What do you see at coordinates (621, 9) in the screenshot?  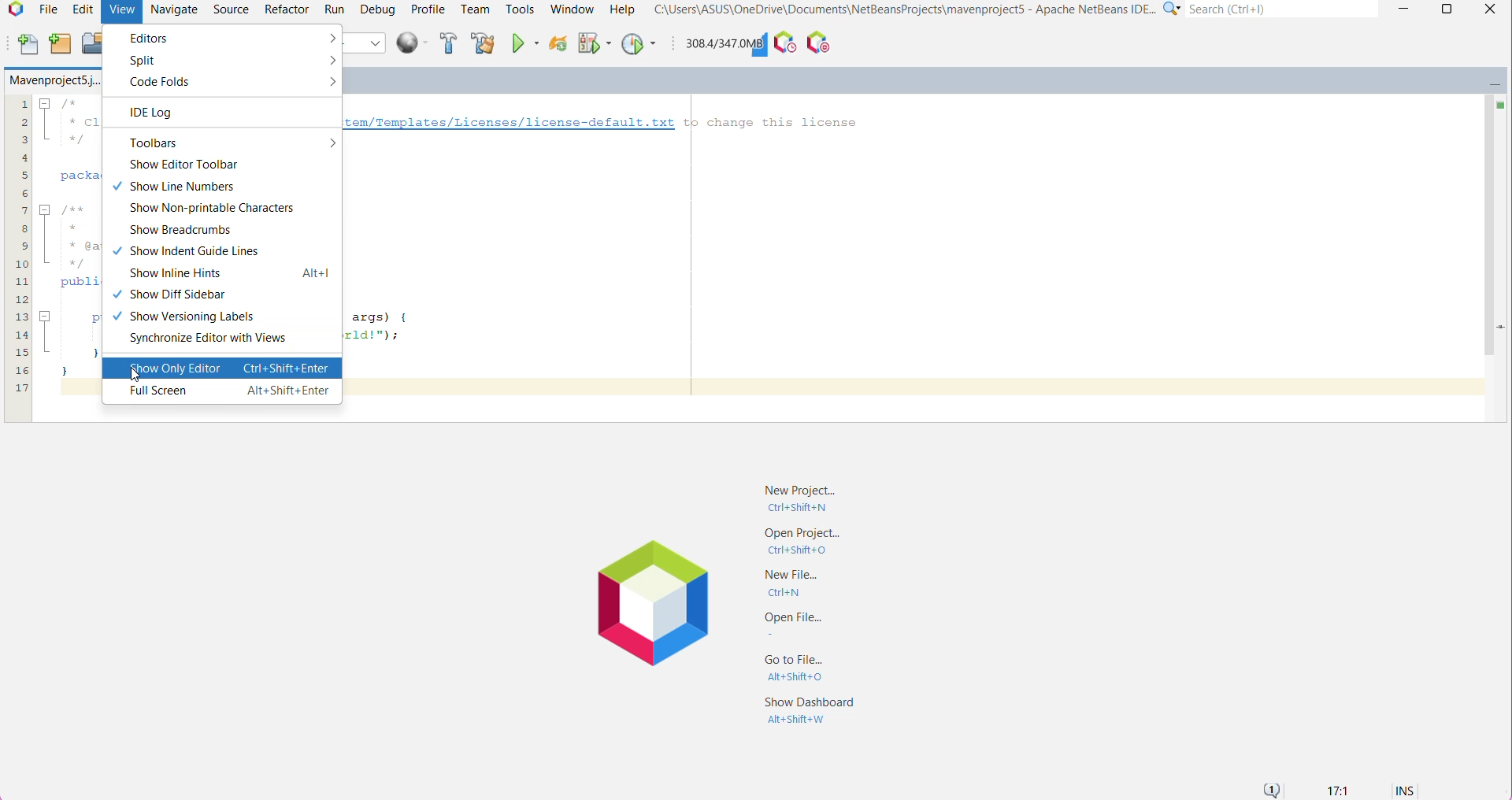 I see `Help` at bounding box center [621, 9].